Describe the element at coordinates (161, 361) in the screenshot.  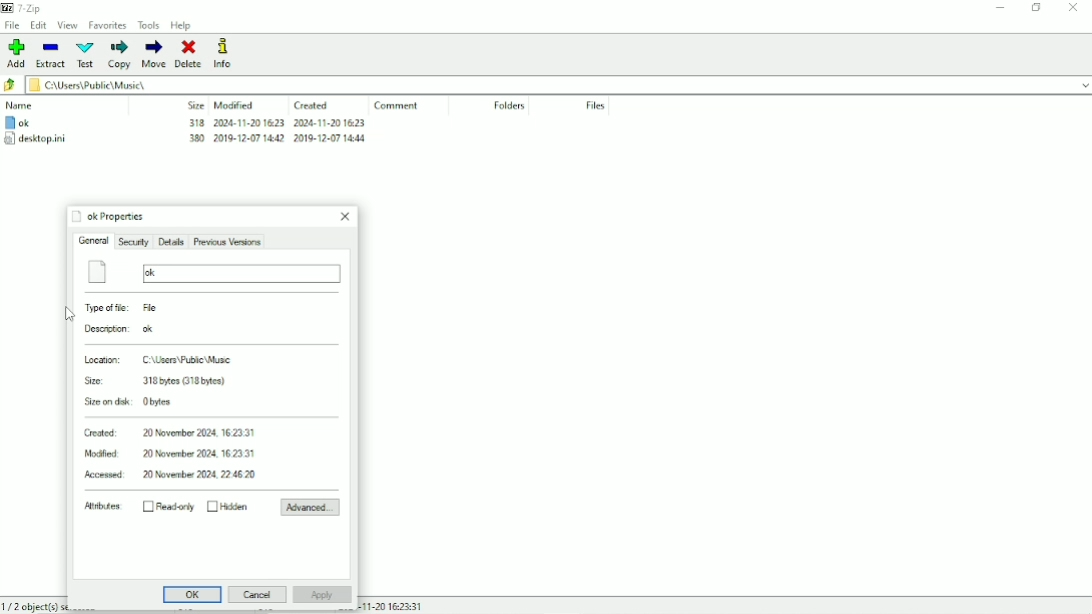
I see `Location` at that location.